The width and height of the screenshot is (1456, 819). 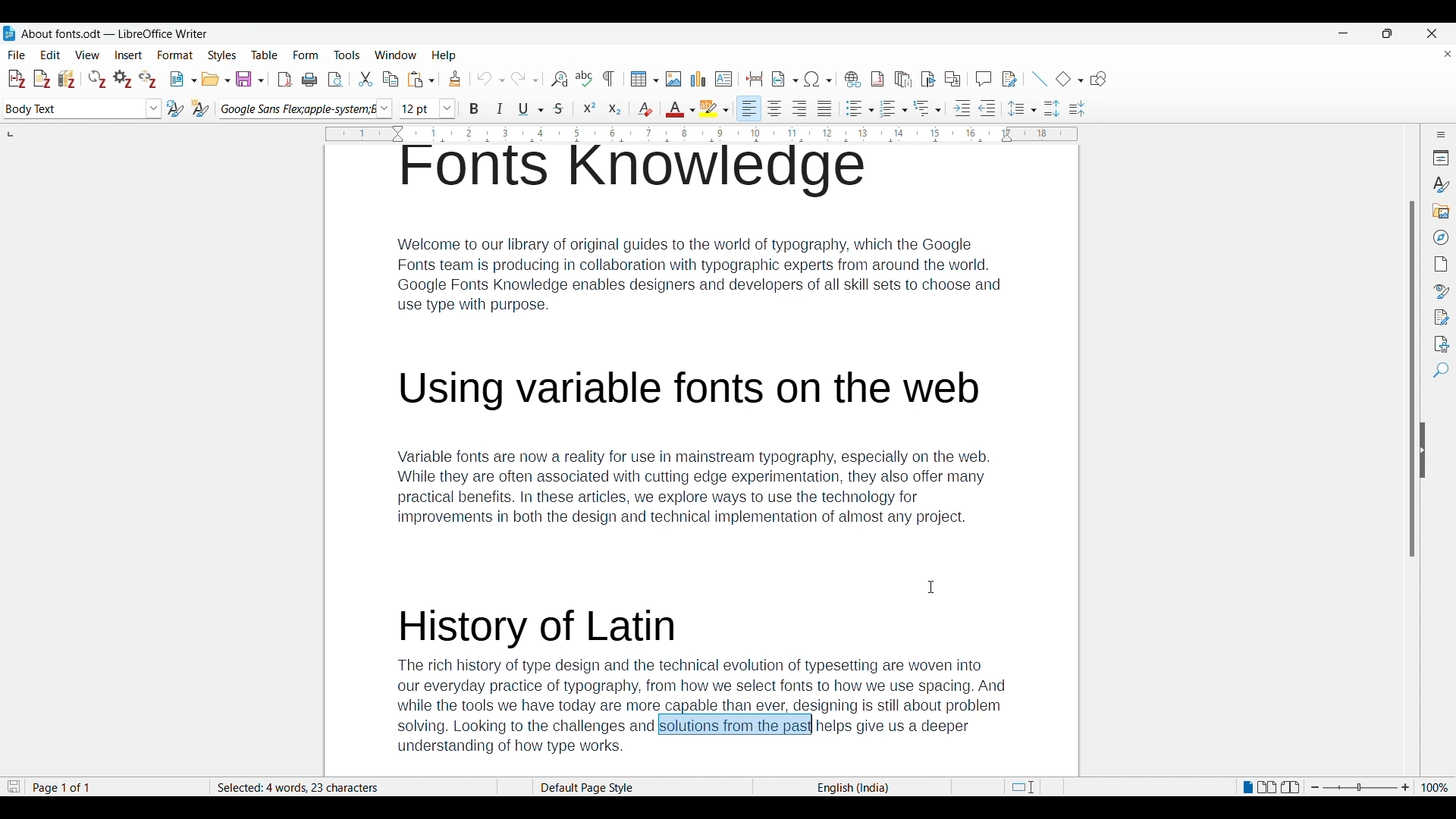 What do you see at coordinates (223, 55) in the screenshot?
I see `Styles menu` at bounding box center [223, 55].